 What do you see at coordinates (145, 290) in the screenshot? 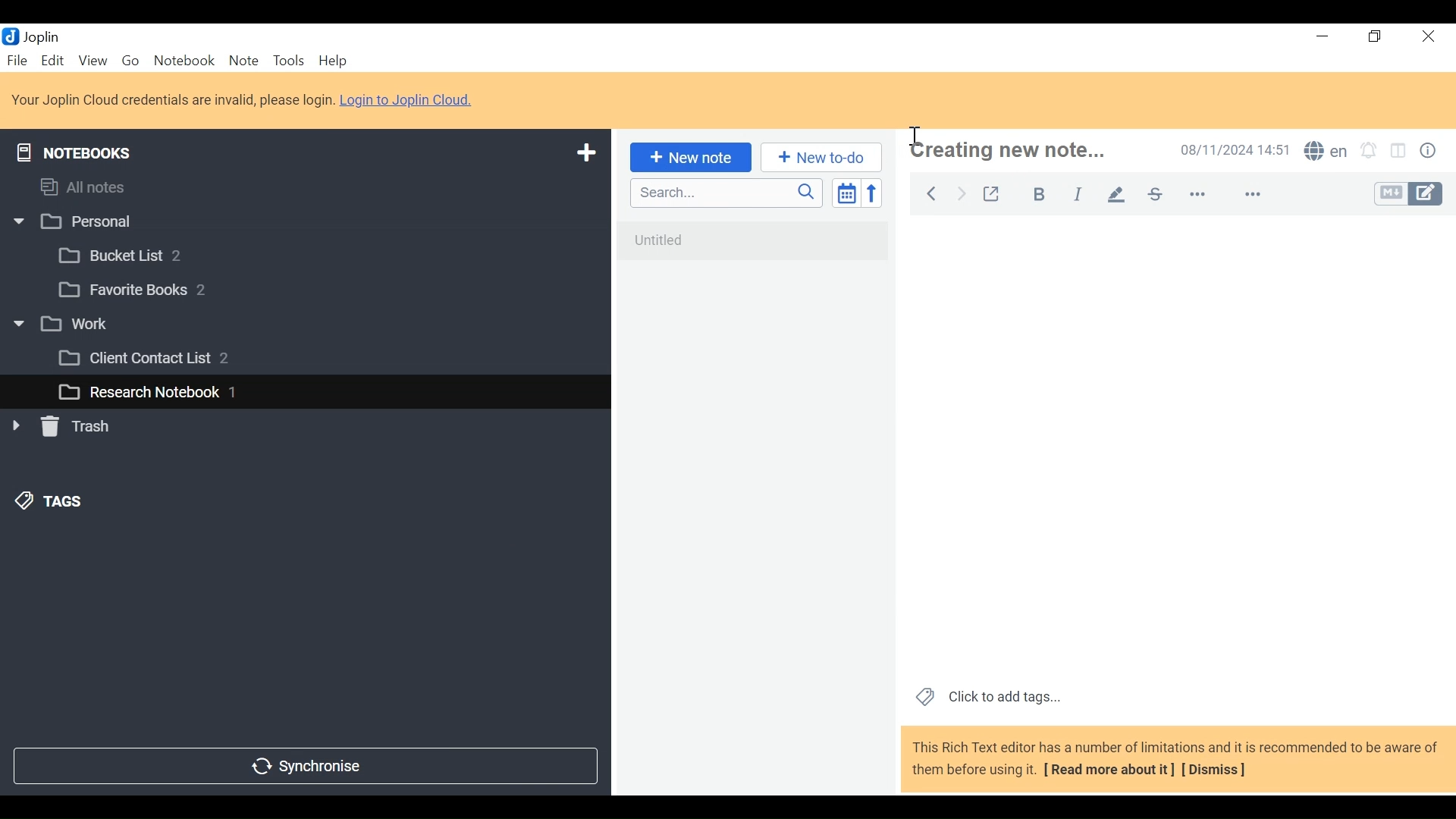
I see `[3 Favorite Books 2` at bounding box center [145, 290].